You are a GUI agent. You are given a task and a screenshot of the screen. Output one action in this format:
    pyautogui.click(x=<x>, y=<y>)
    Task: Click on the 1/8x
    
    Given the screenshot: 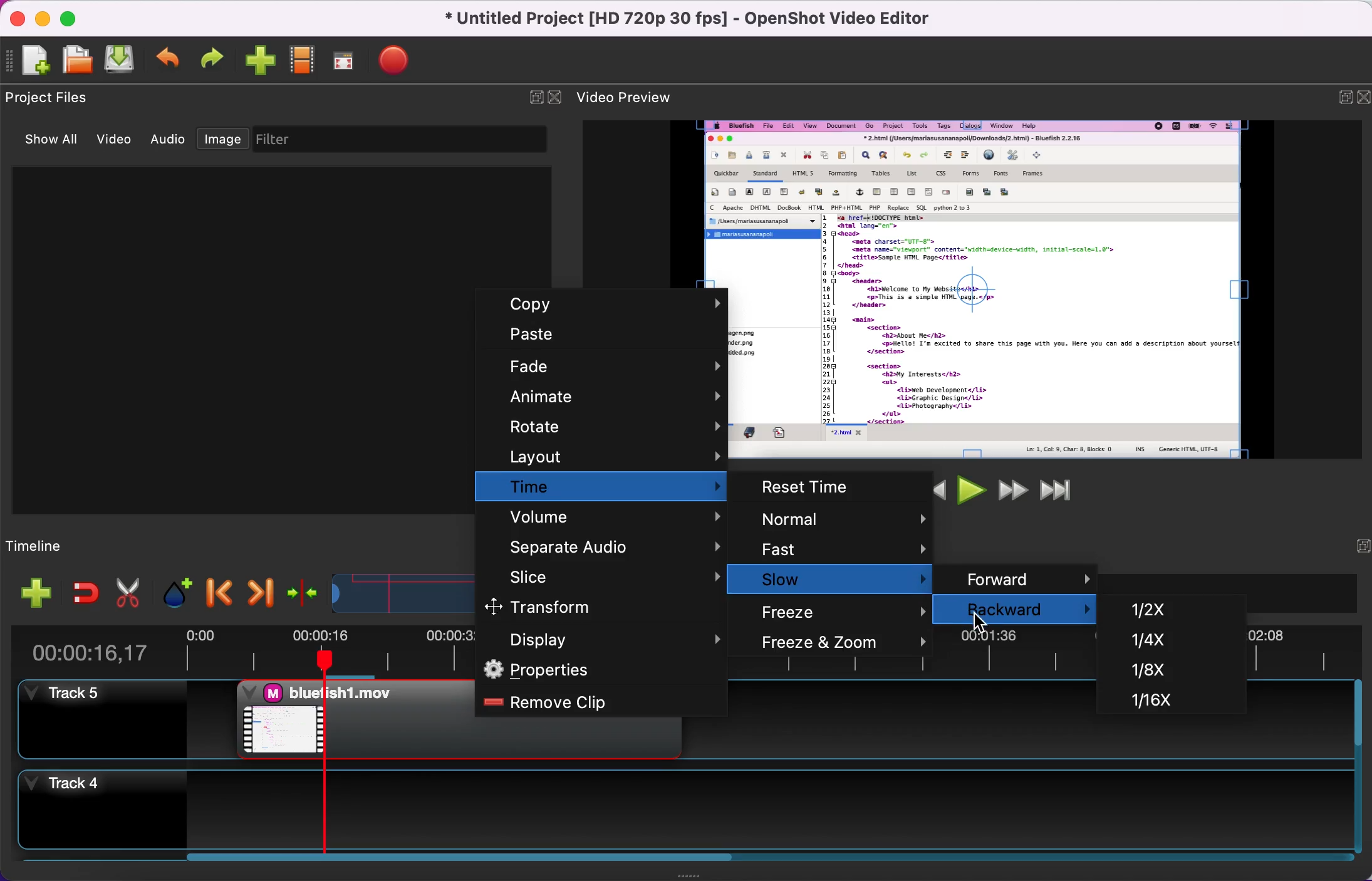 What is the action you would take?
    pyautogui.click(x=1136, y=674)
    